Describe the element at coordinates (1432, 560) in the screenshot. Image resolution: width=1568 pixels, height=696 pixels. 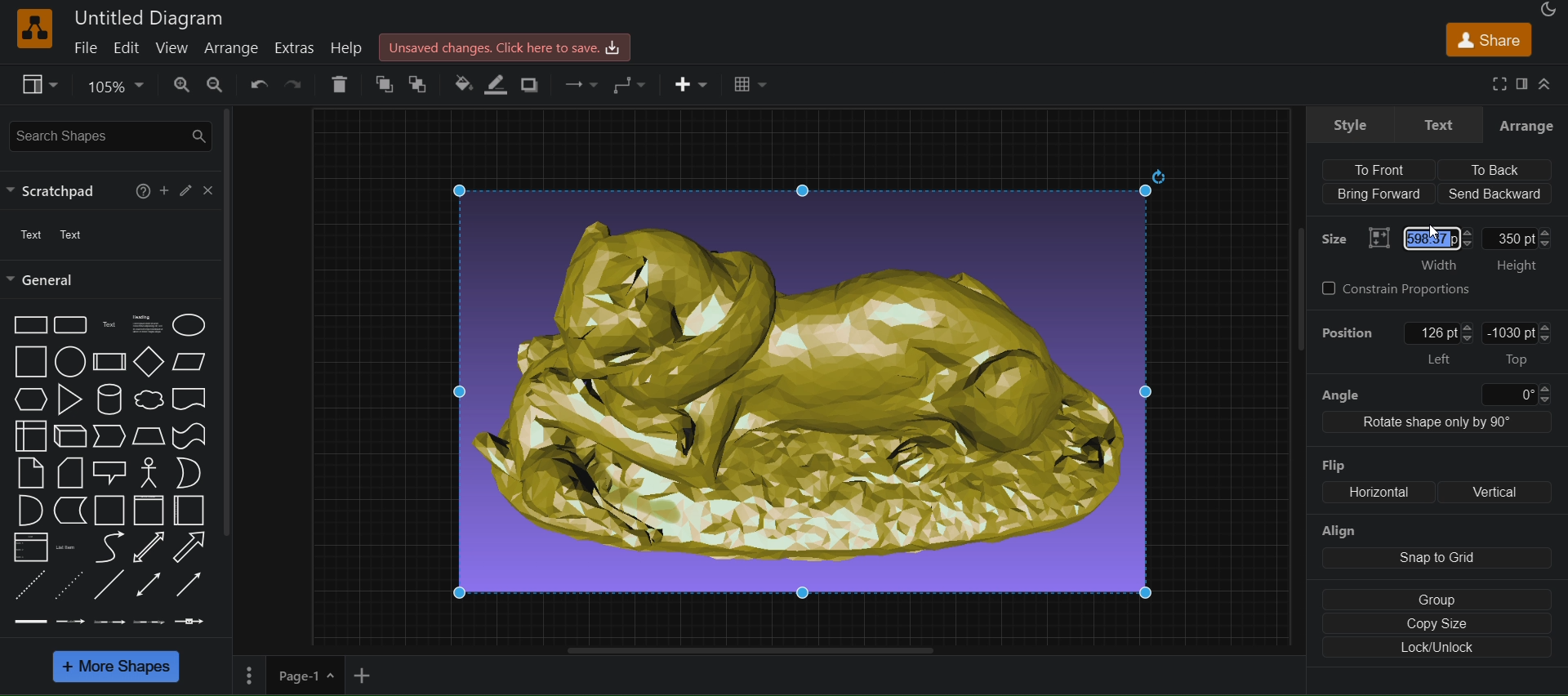
I see `align` at that location.